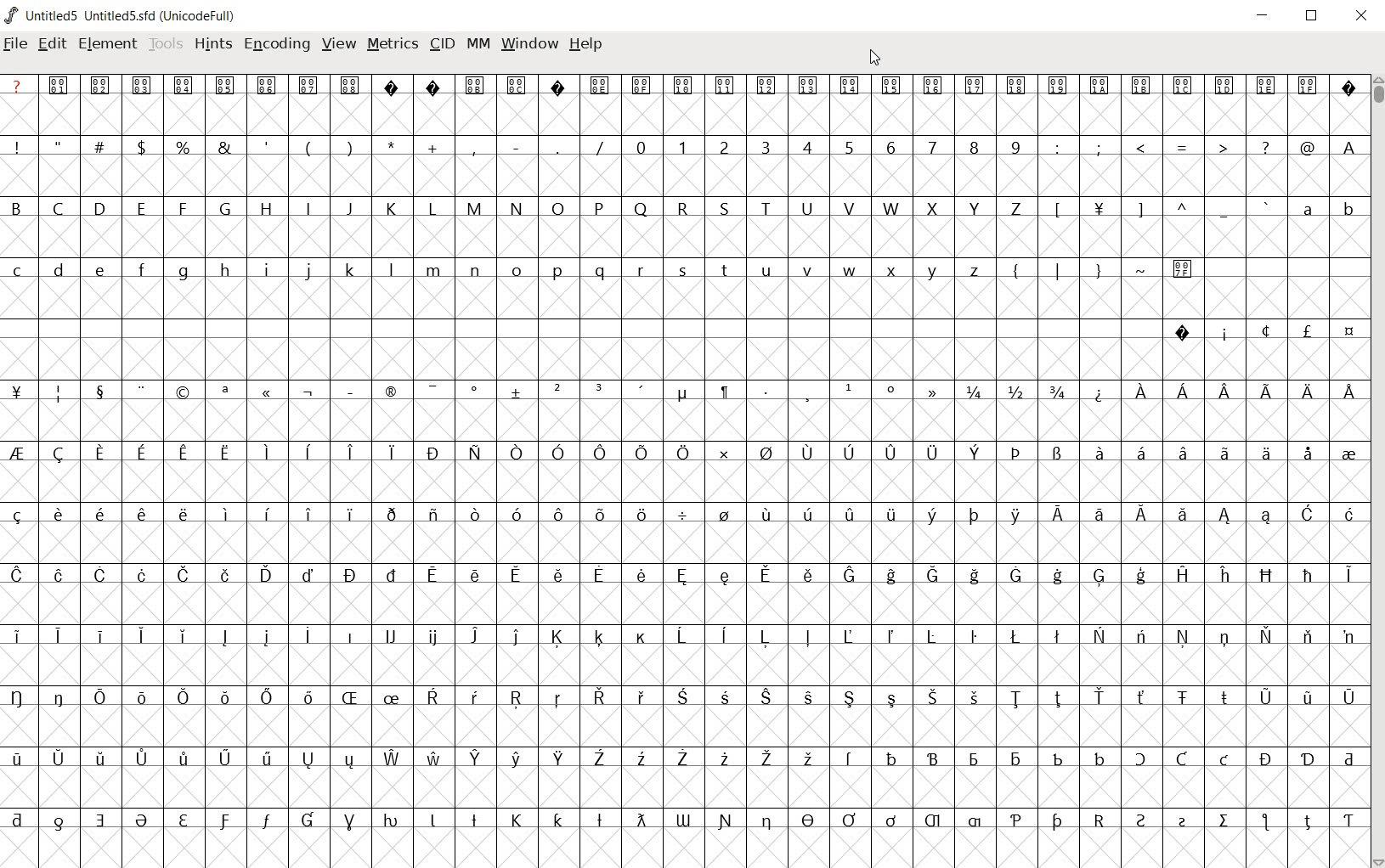  Describe the element at coordinates (20, 820) in the screenshot. I see `Symbol` at that location.